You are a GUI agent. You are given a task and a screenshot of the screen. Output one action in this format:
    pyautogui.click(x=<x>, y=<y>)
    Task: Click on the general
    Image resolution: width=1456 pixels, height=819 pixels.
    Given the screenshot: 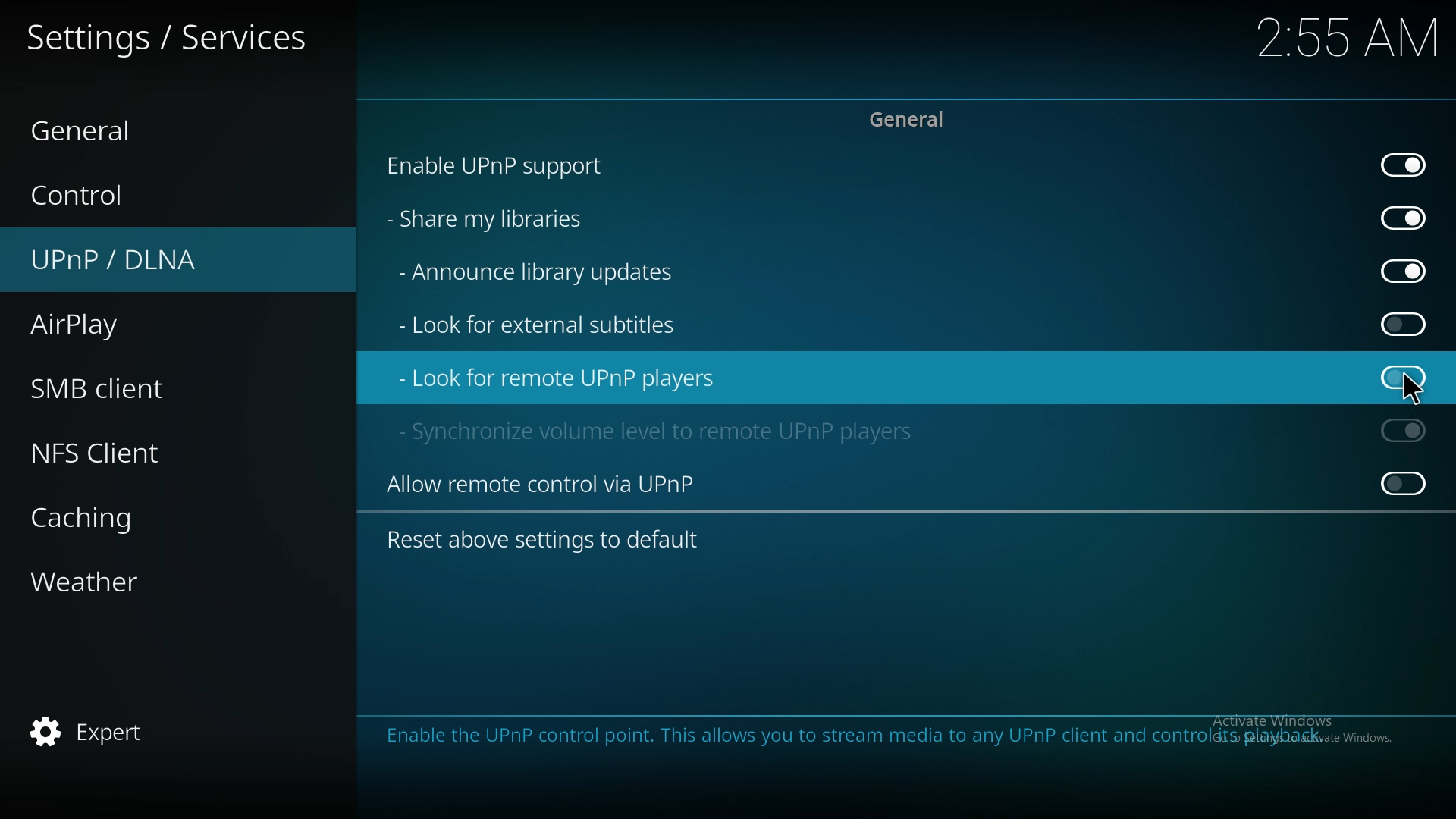 What is the action you would take?
    pyautogui.click(x=915, y=121)
    